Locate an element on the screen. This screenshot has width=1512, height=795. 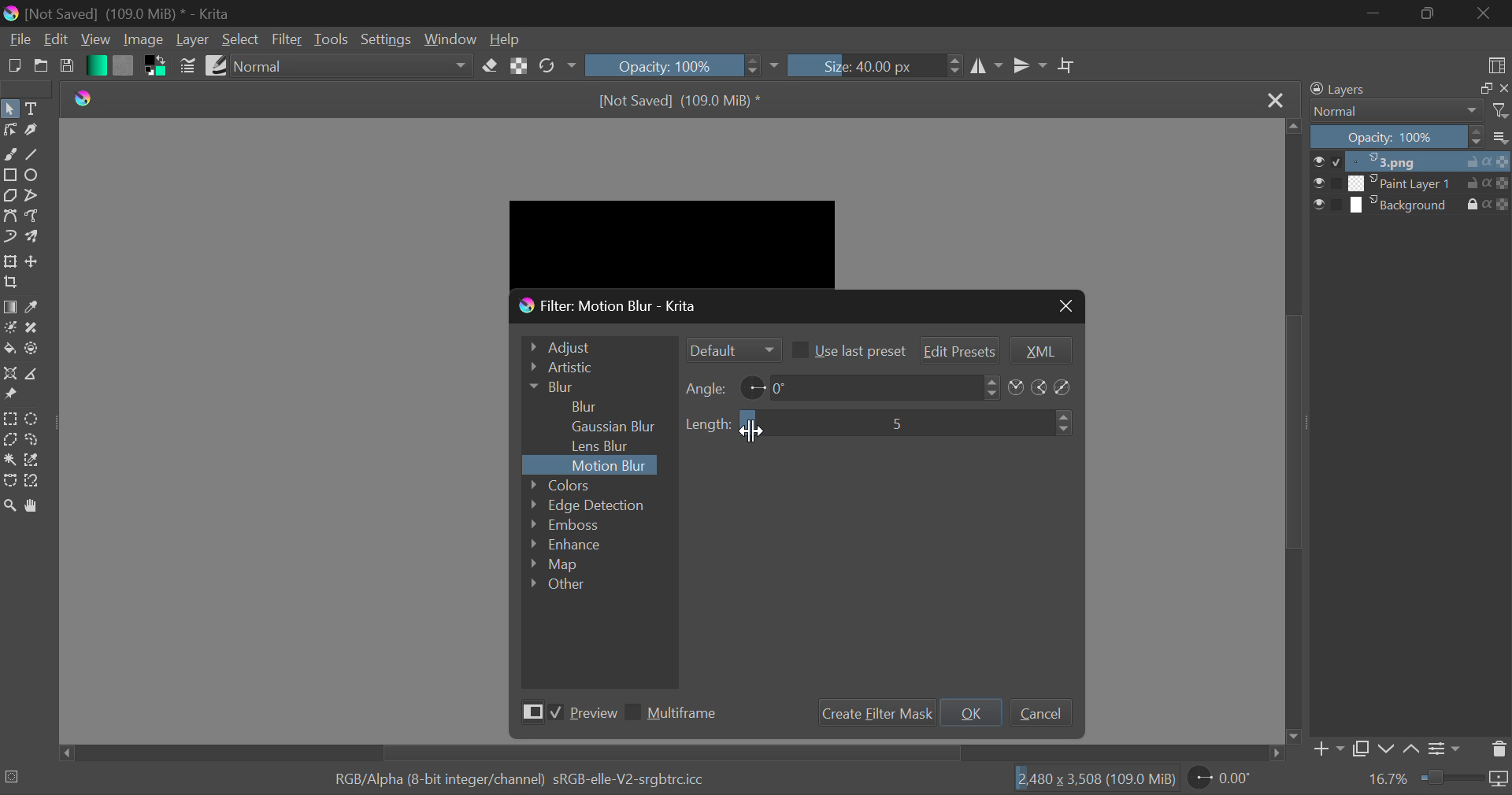
Select is located at coordinates (10, 108).